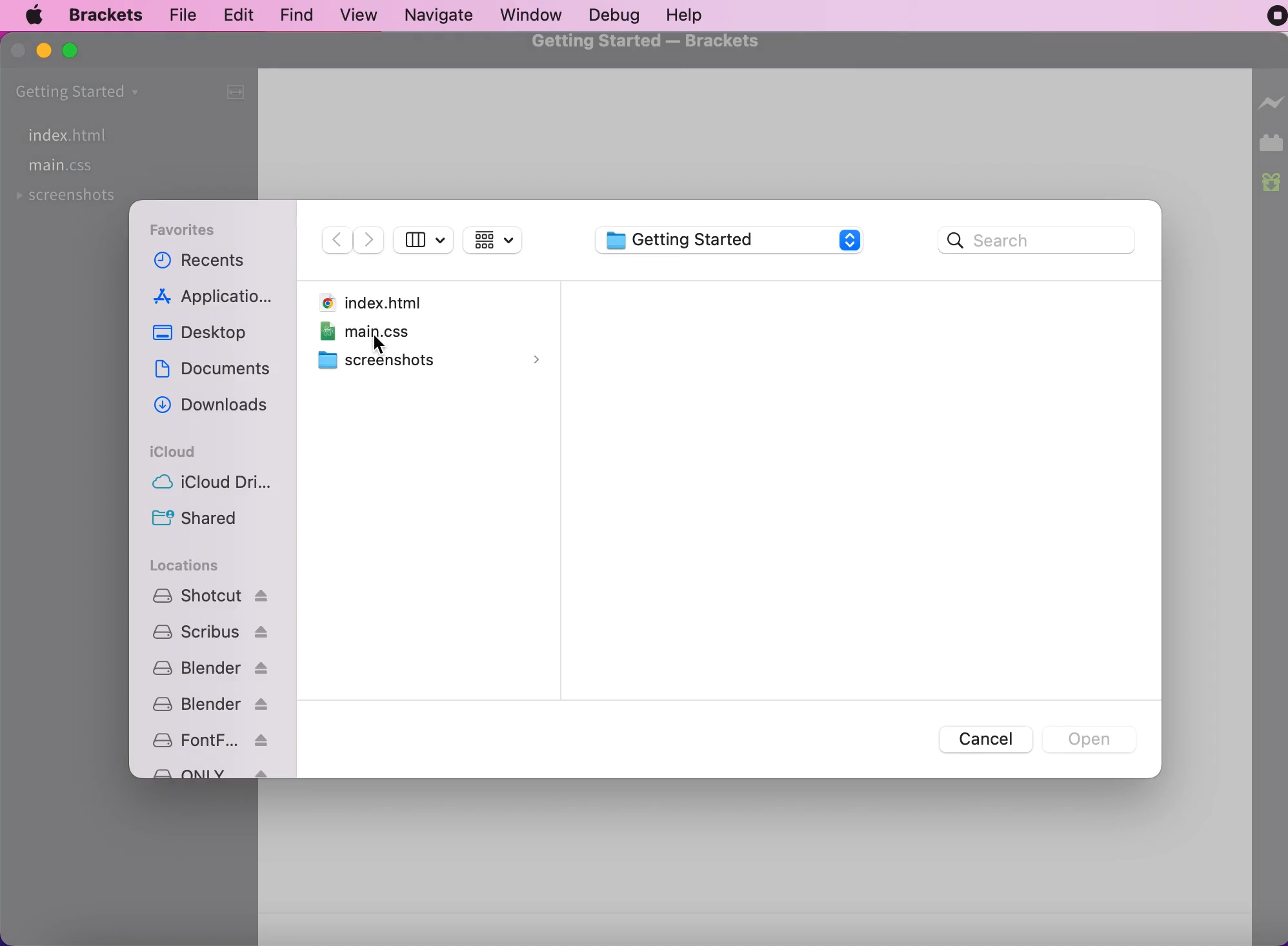 Image resolution: width=1288 pixels, height=946 pixels. Describe the element at coordinates (205, 520) in the screenshot. I see `shared` at that location.